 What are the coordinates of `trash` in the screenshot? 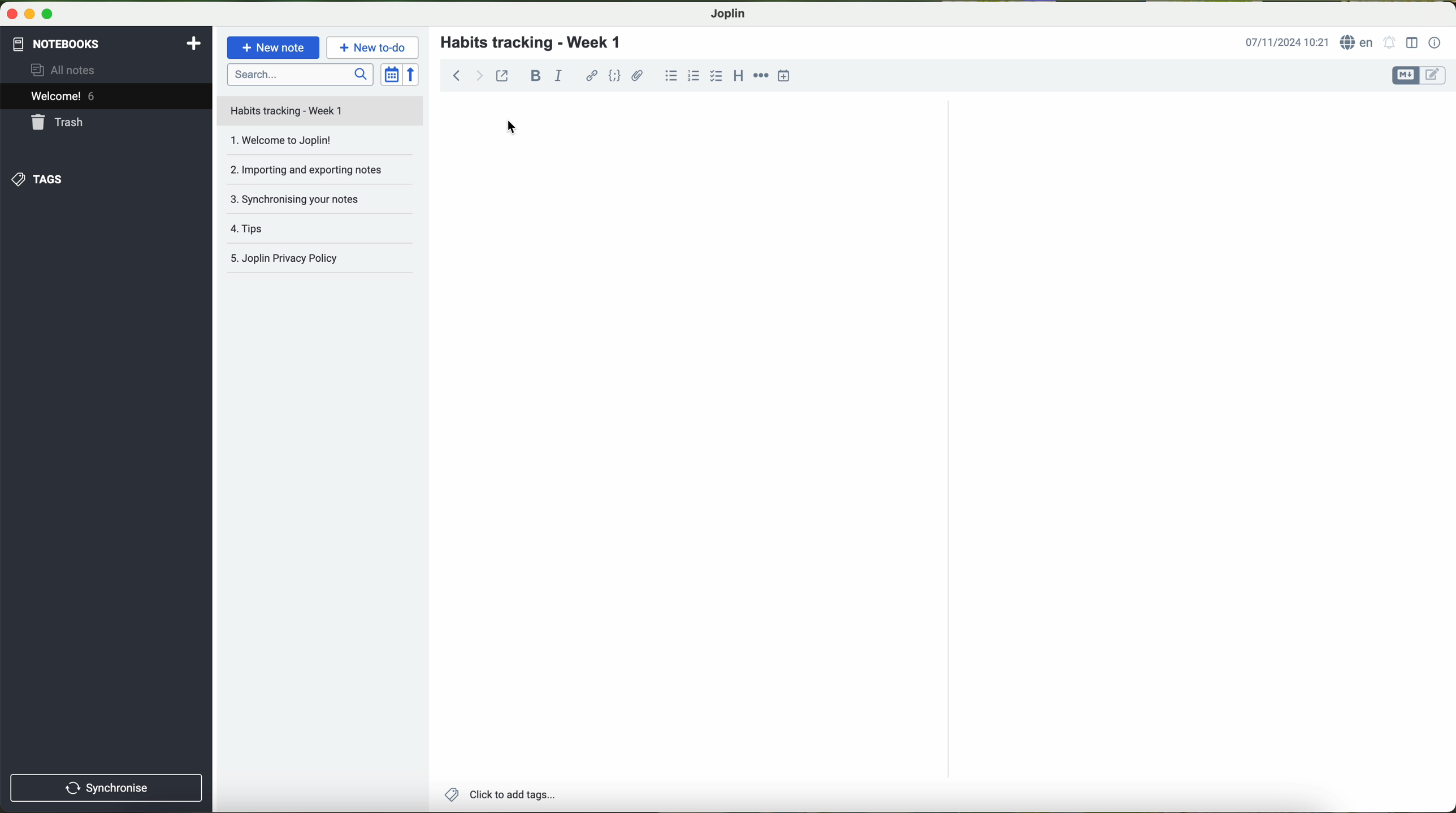 It's located at (59, 122).